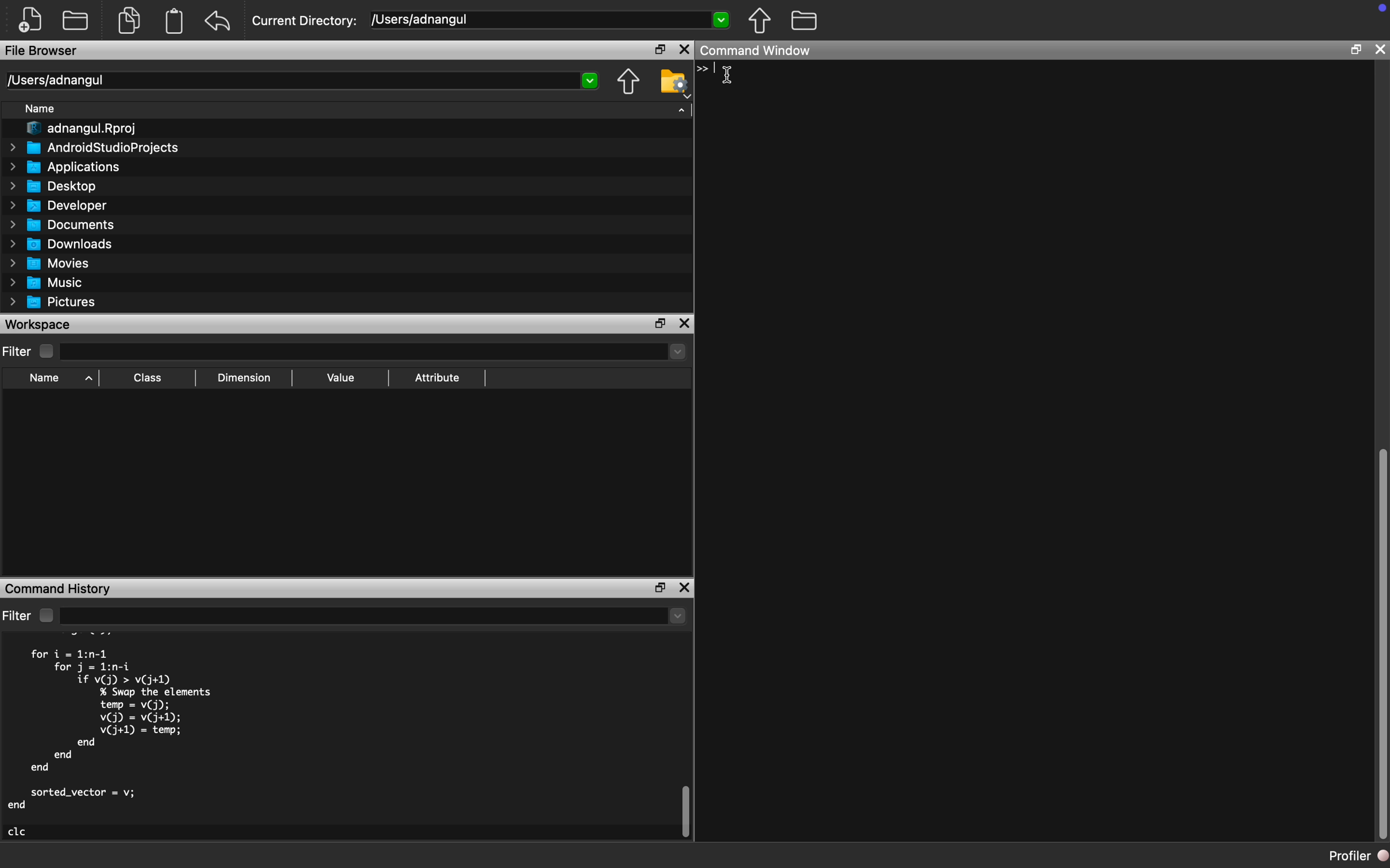 The height and width of the screenshot is (868, 1390). I want to click on Profiler, so click(1358, 855).